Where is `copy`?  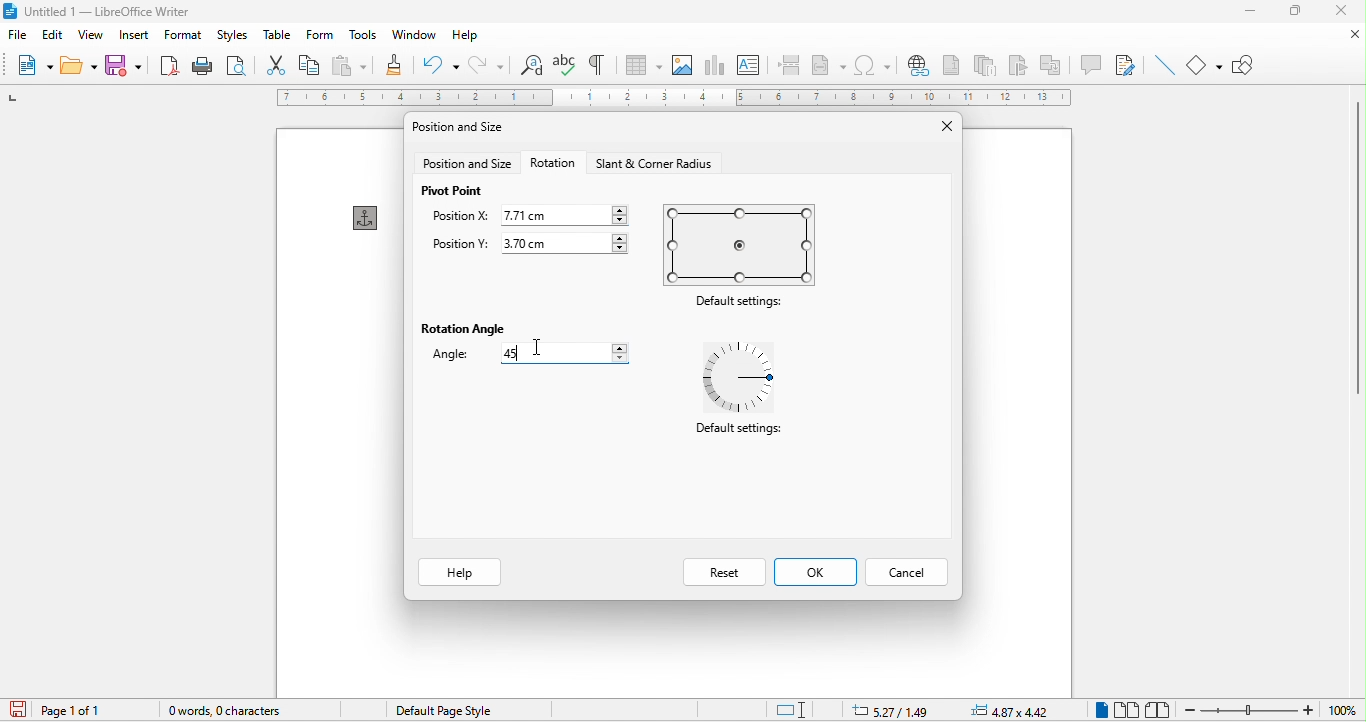
copy is located at coordinates (310, 66).